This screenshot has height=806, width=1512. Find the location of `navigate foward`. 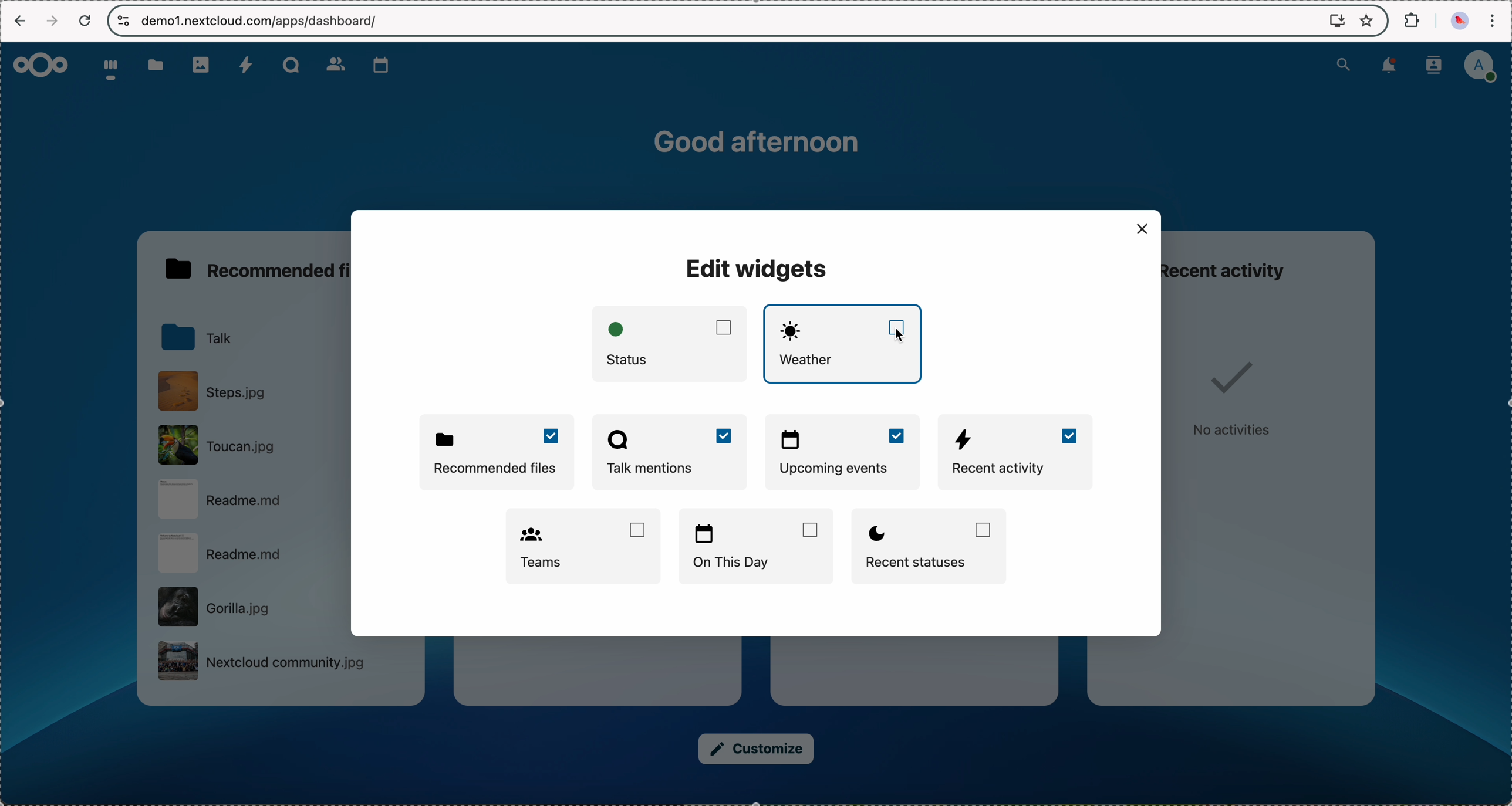

navigate foward is located at coordinates (55, 20).